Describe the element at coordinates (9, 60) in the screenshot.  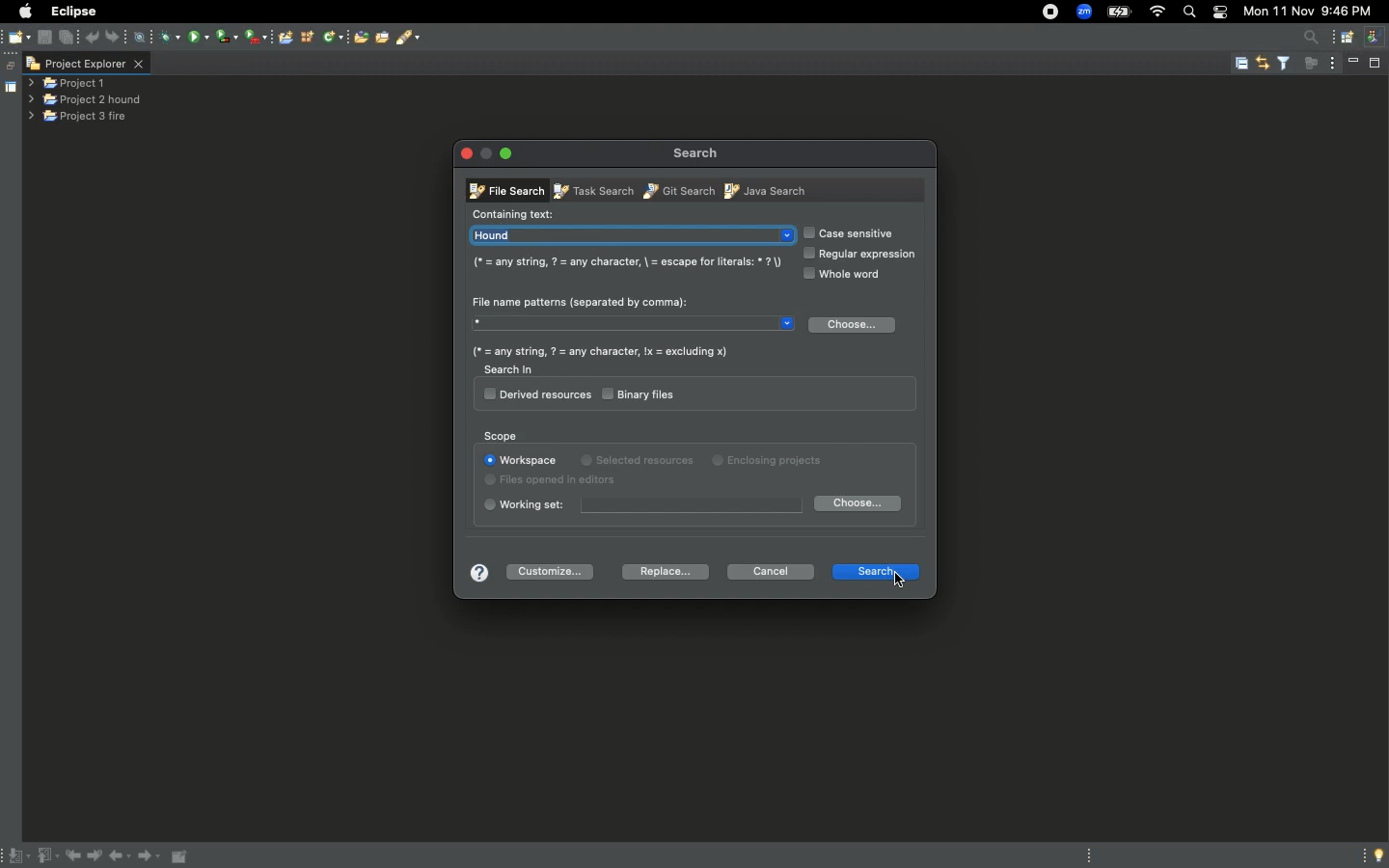
I see `restore` at that location.